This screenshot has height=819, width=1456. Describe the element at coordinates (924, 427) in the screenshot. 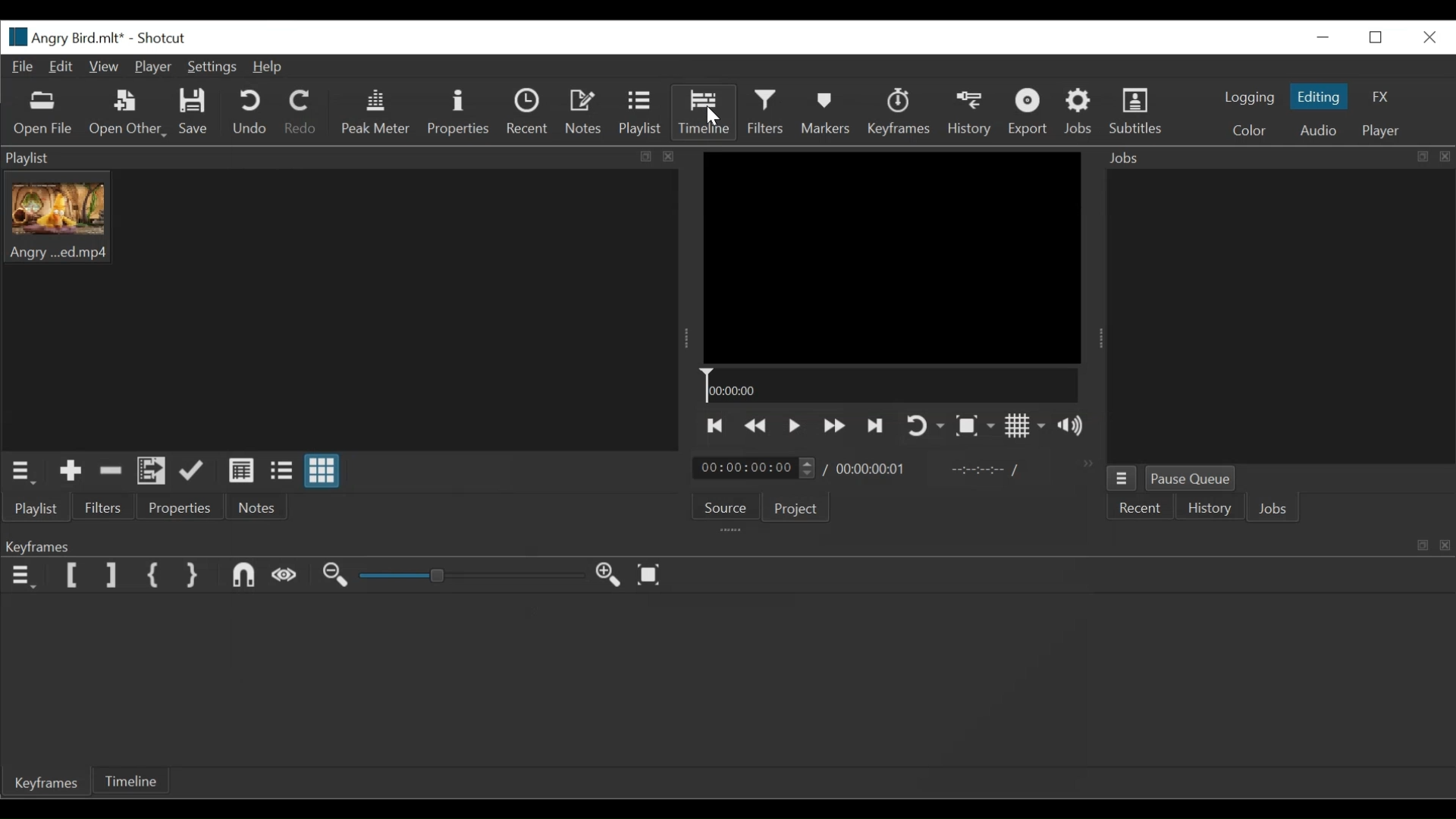

I see `Toggle player on looping` at that location.